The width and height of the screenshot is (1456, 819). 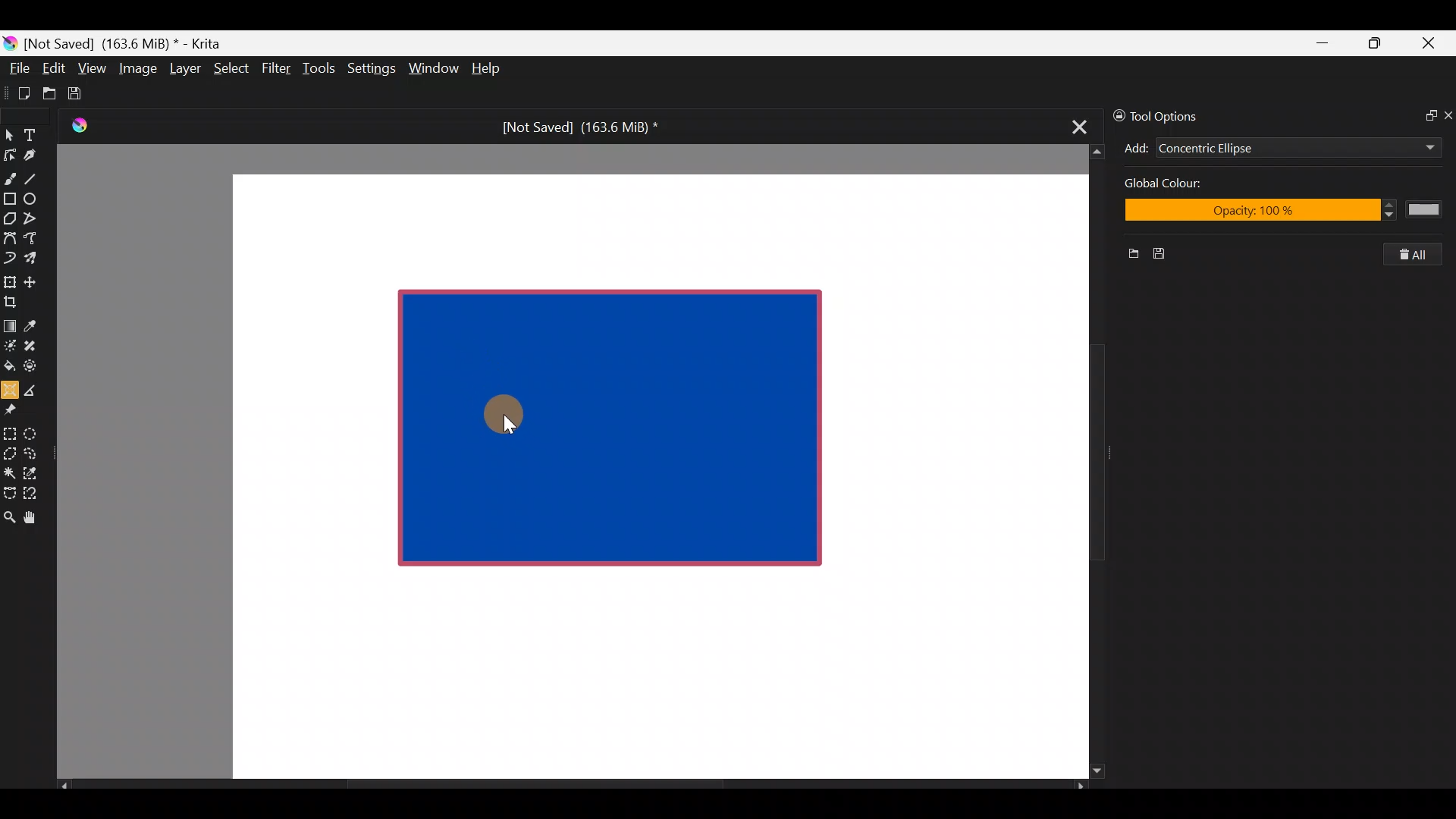 What do you see at coordinates (9, 491) in the screenshot?
I see `Bezier curve selection tool` at bounding box center [9, 491].